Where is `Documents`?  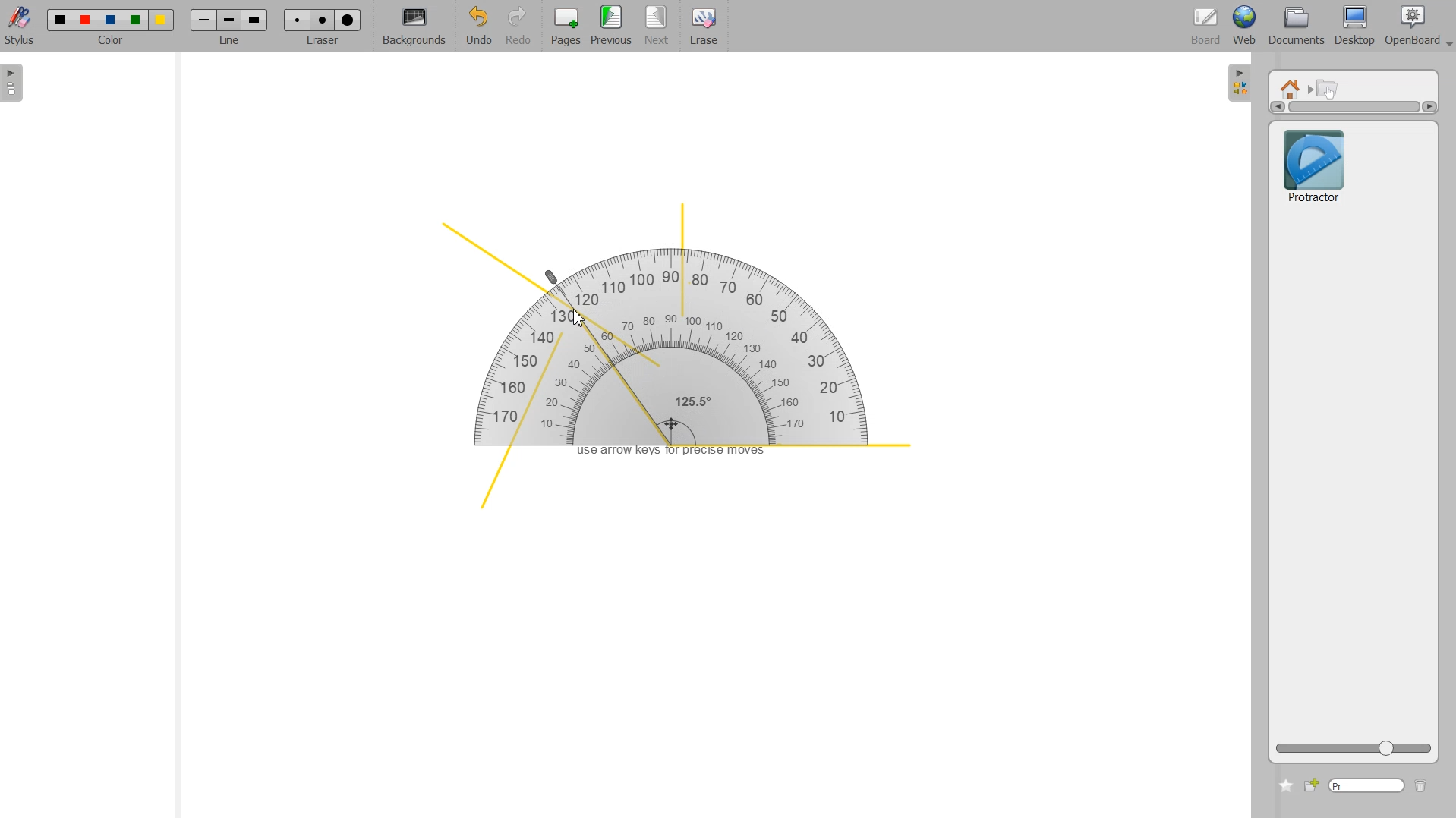
Documents is located at coordinates (1294, 27).